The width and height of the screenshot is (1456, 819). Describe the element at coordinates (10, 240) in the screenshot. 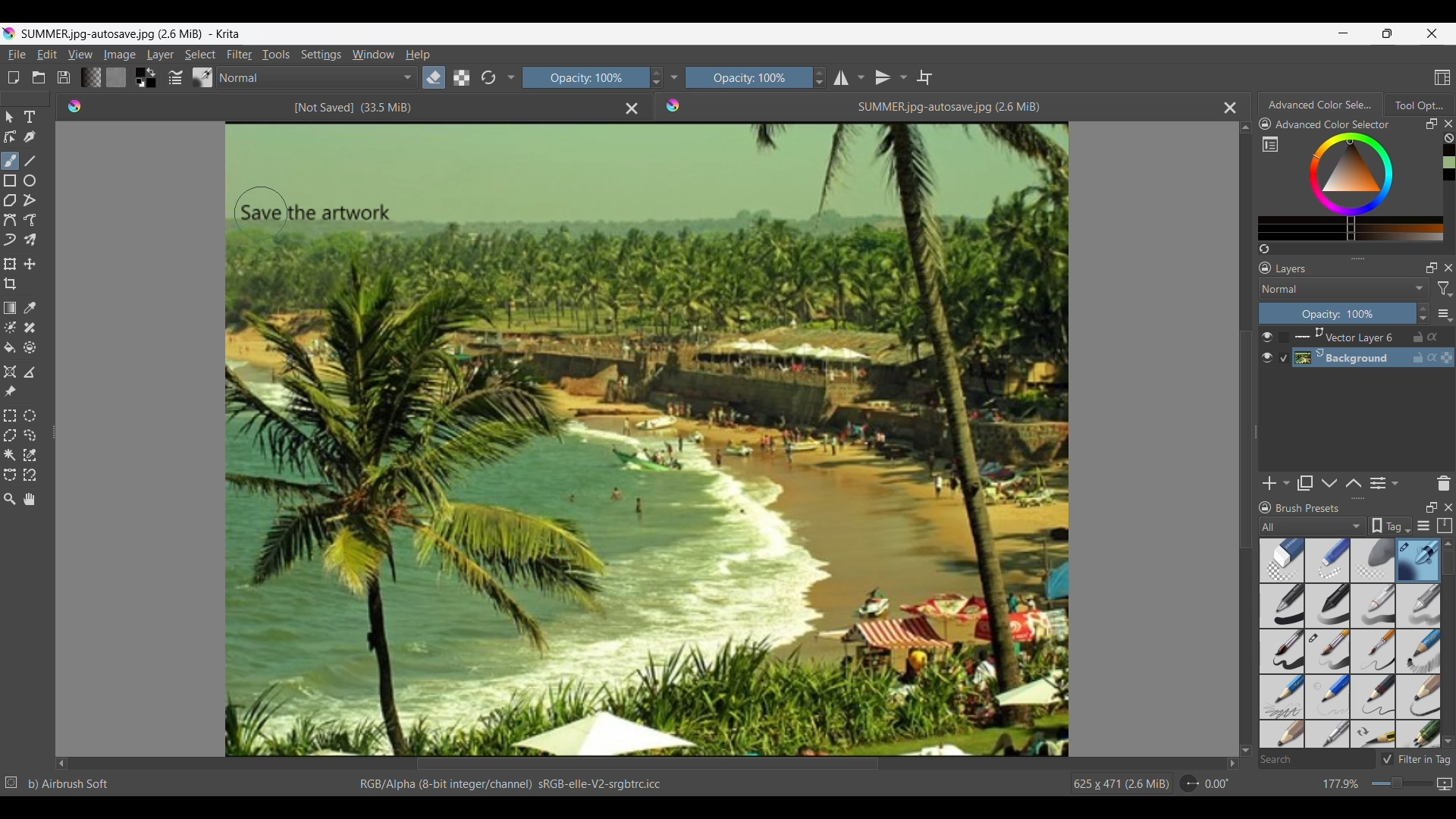

I see `Dynamic brush tool` at that location.